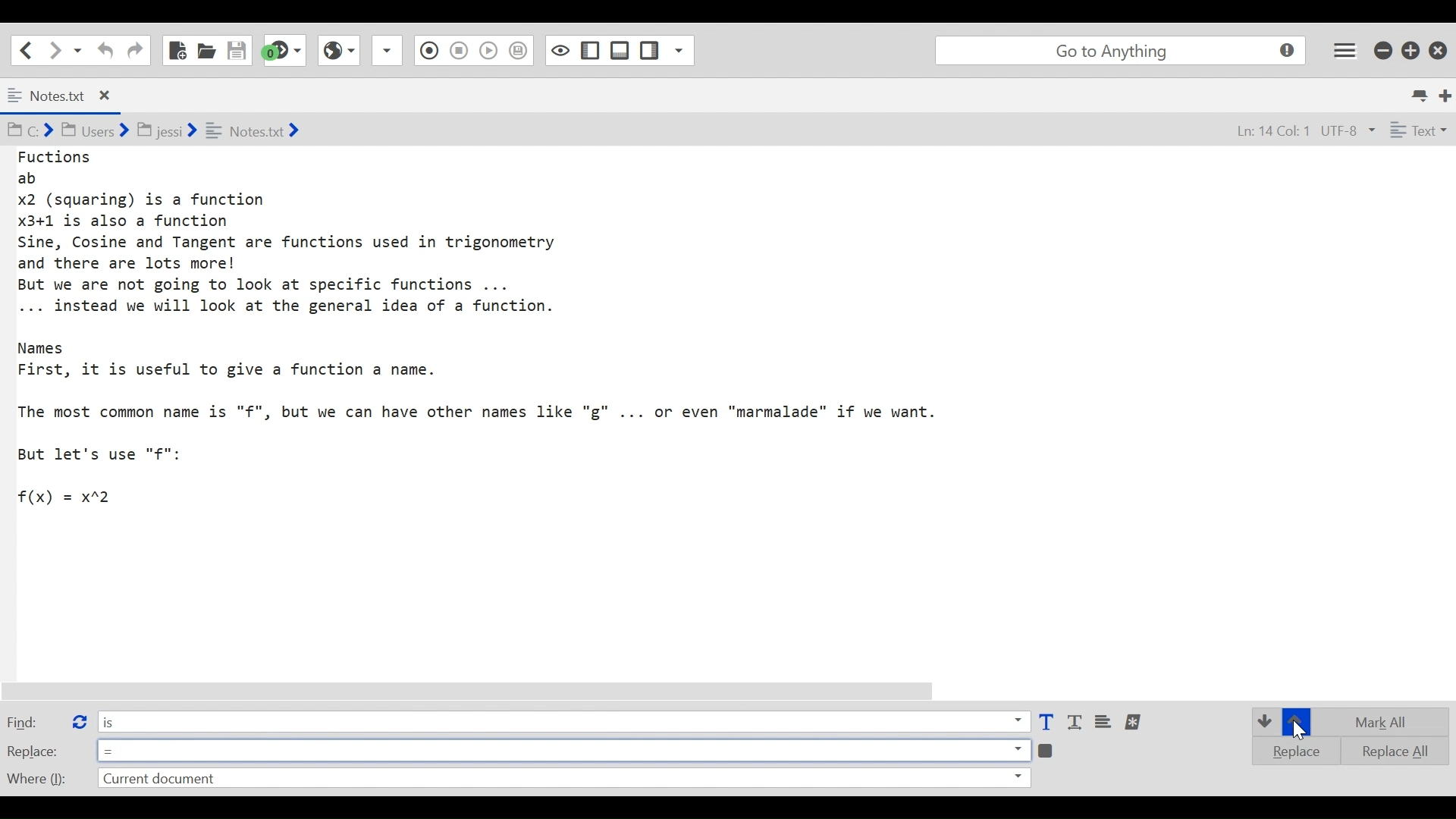  I want to click on Go back one location, so click(22, 49).